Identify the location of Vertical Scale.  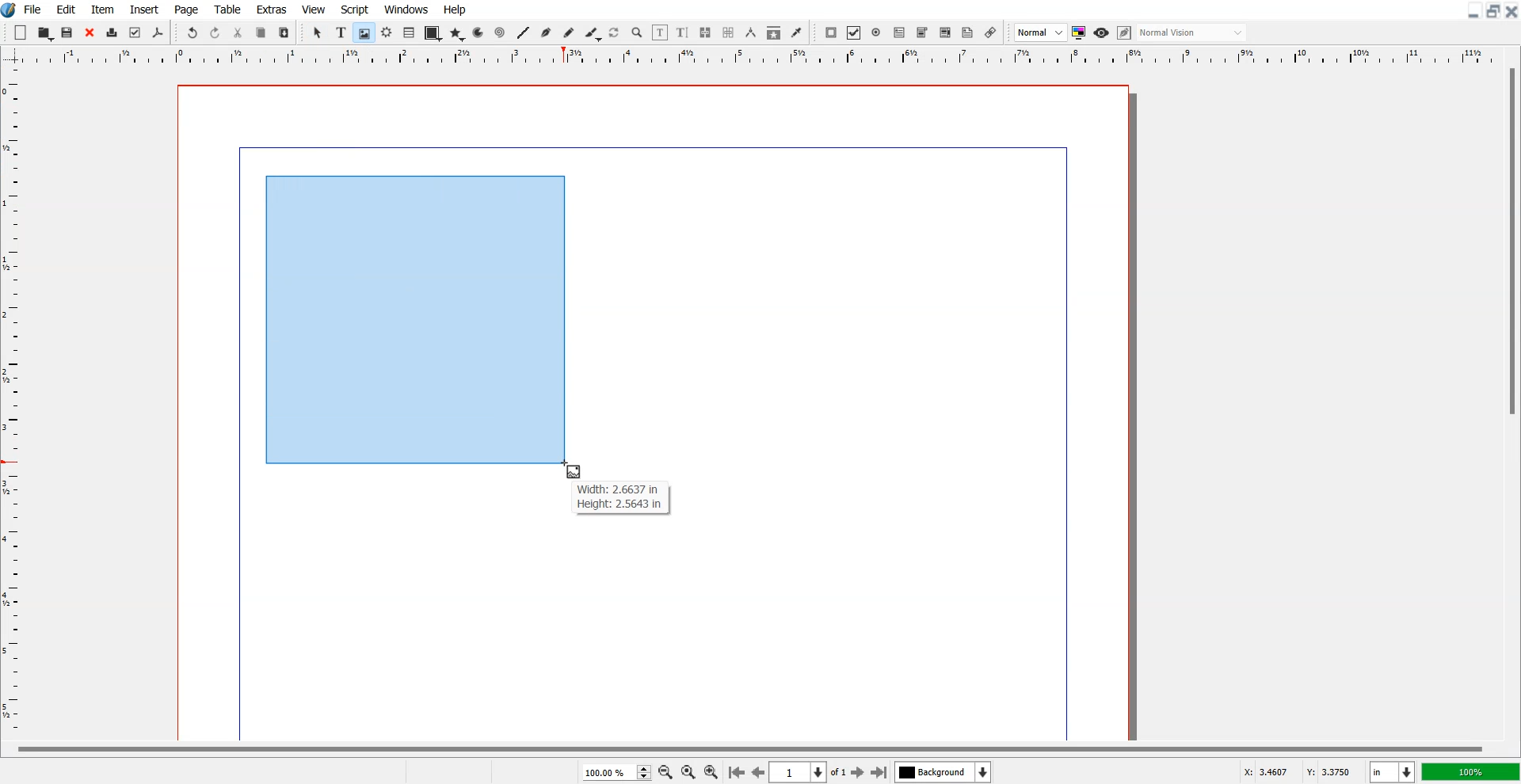
(760, 57).